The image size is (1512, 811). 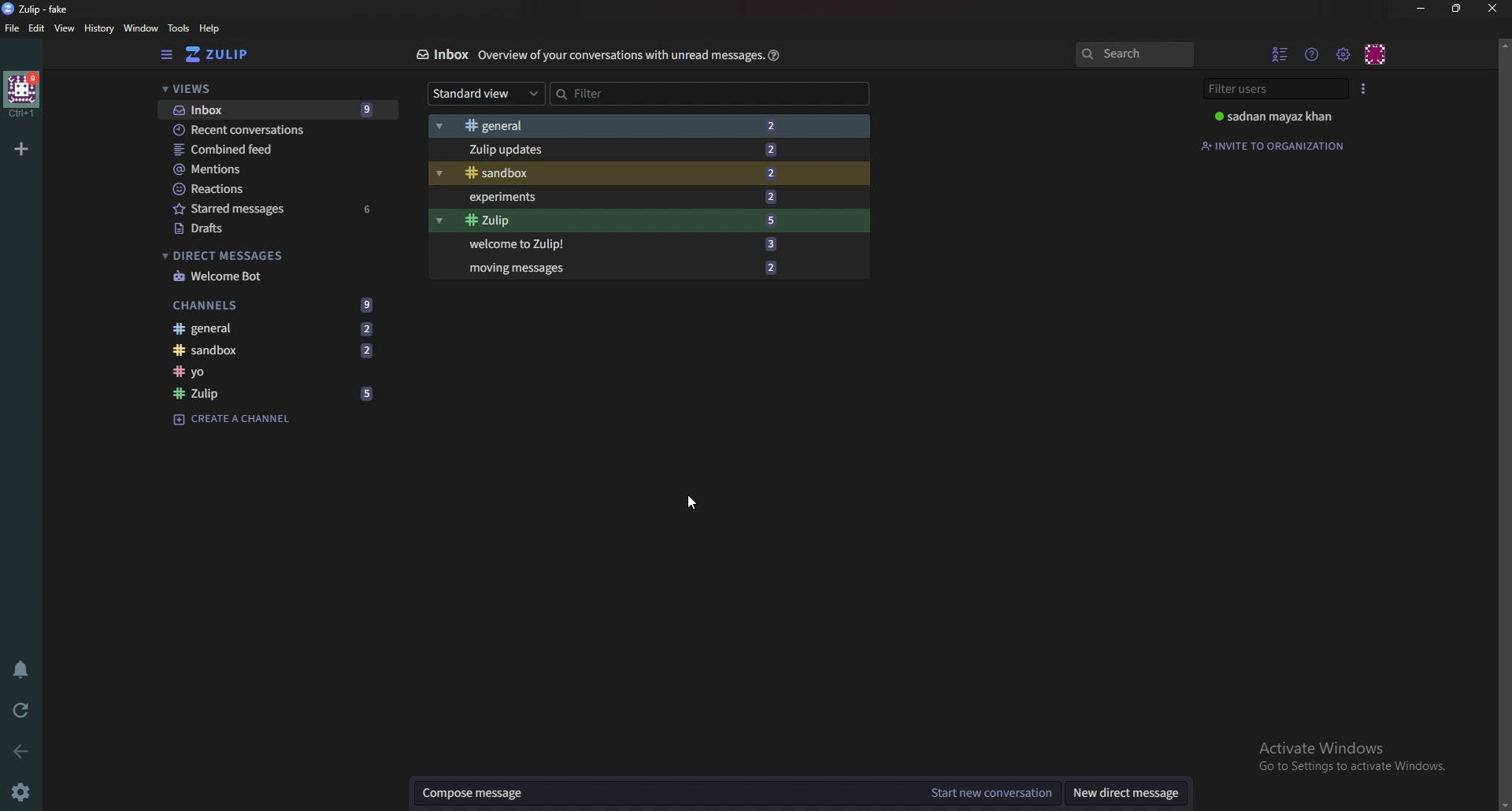 What do you see at coordinates (65, 28) in the screenshot?
I see `View` at bounding box center [65, 28].